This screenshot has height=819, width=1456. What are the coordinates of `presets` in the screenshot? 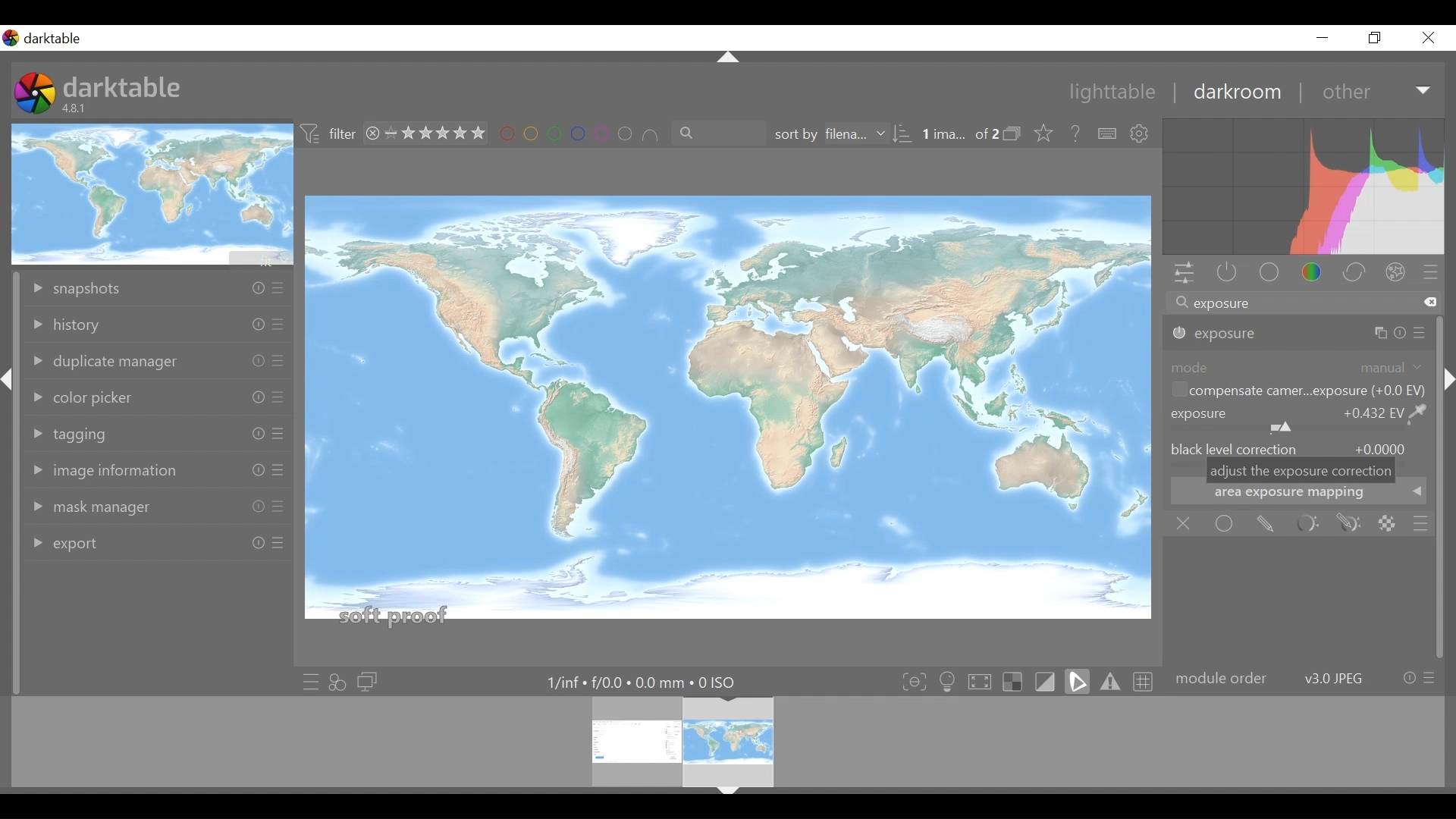 It's located at (1431, 274).